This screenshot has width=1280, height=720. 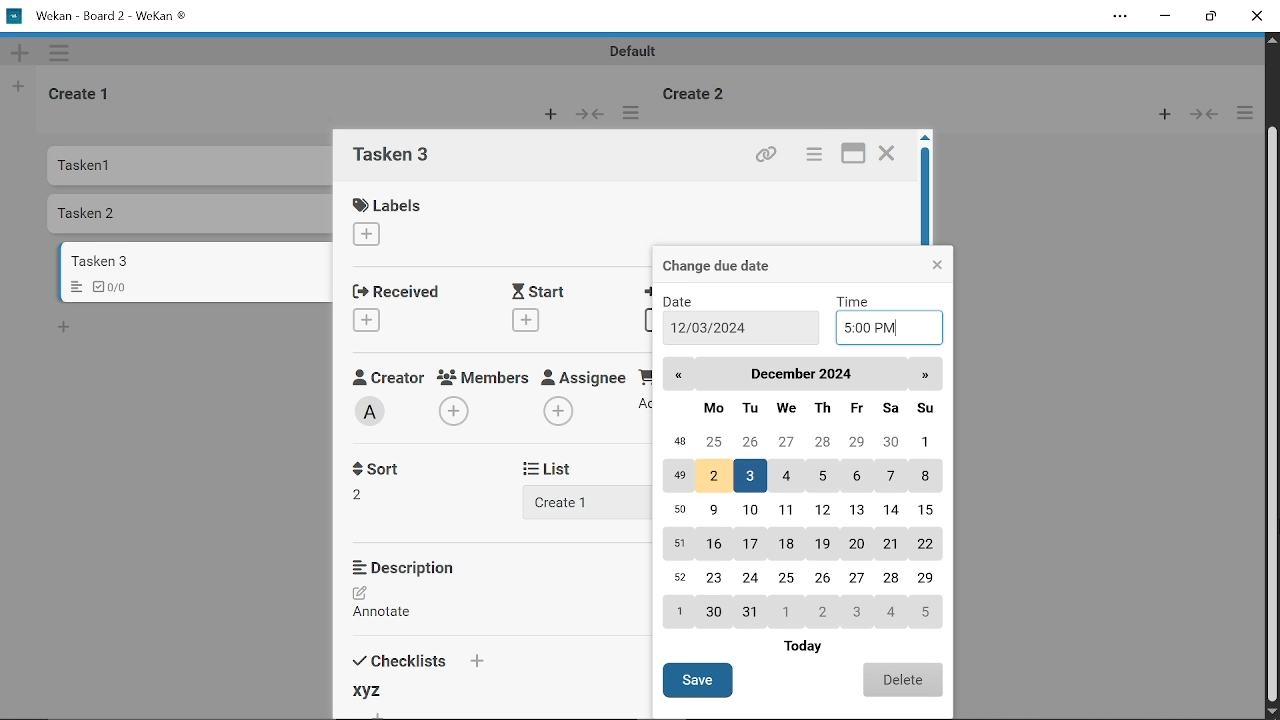 I want to click on Cursor, so click(x=1272, y=429).